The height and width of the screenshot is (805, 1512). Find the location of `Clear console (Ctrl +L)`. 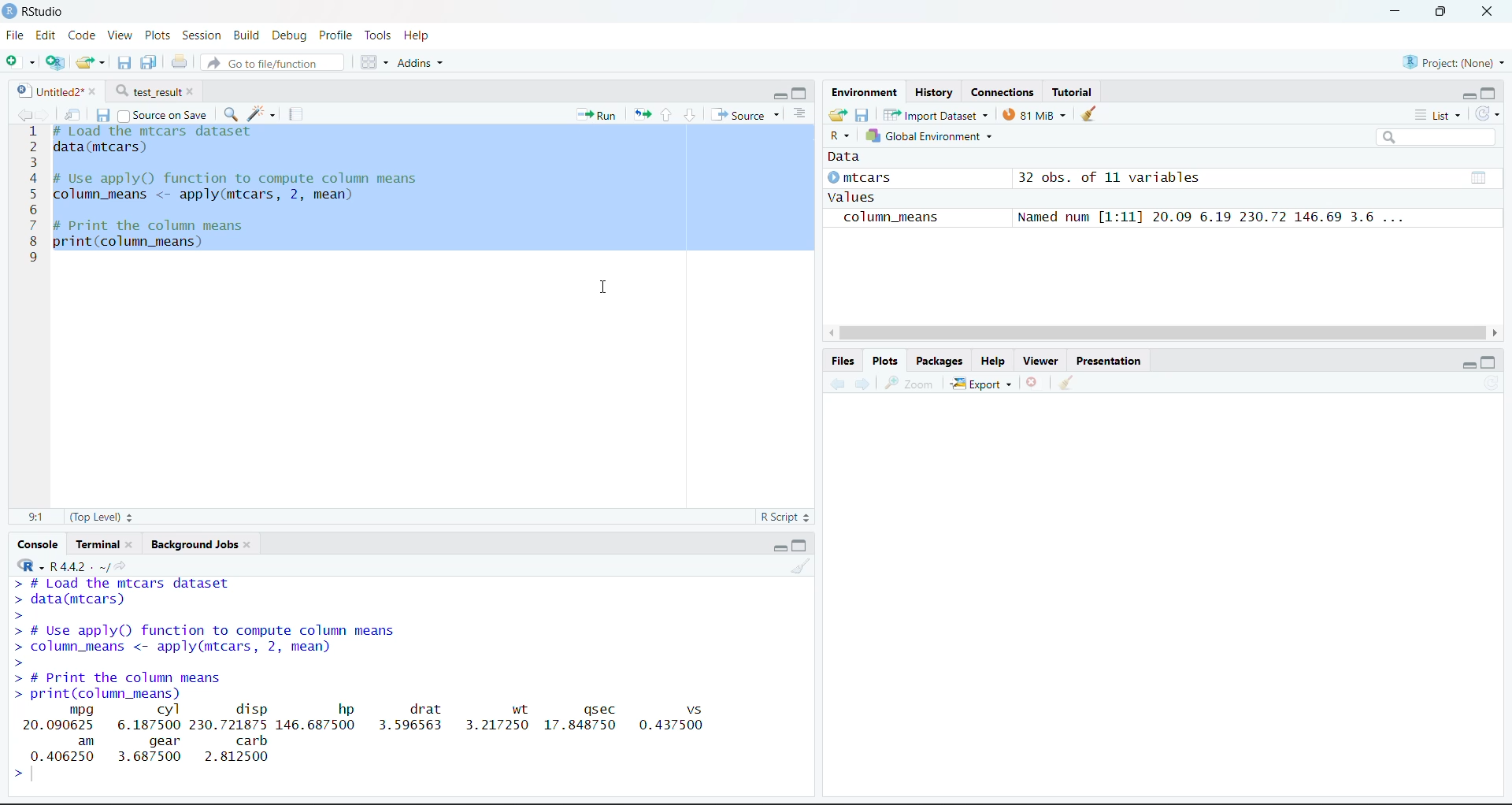

Clear console (Ctrl +L) is located at coordinates (798, 565).